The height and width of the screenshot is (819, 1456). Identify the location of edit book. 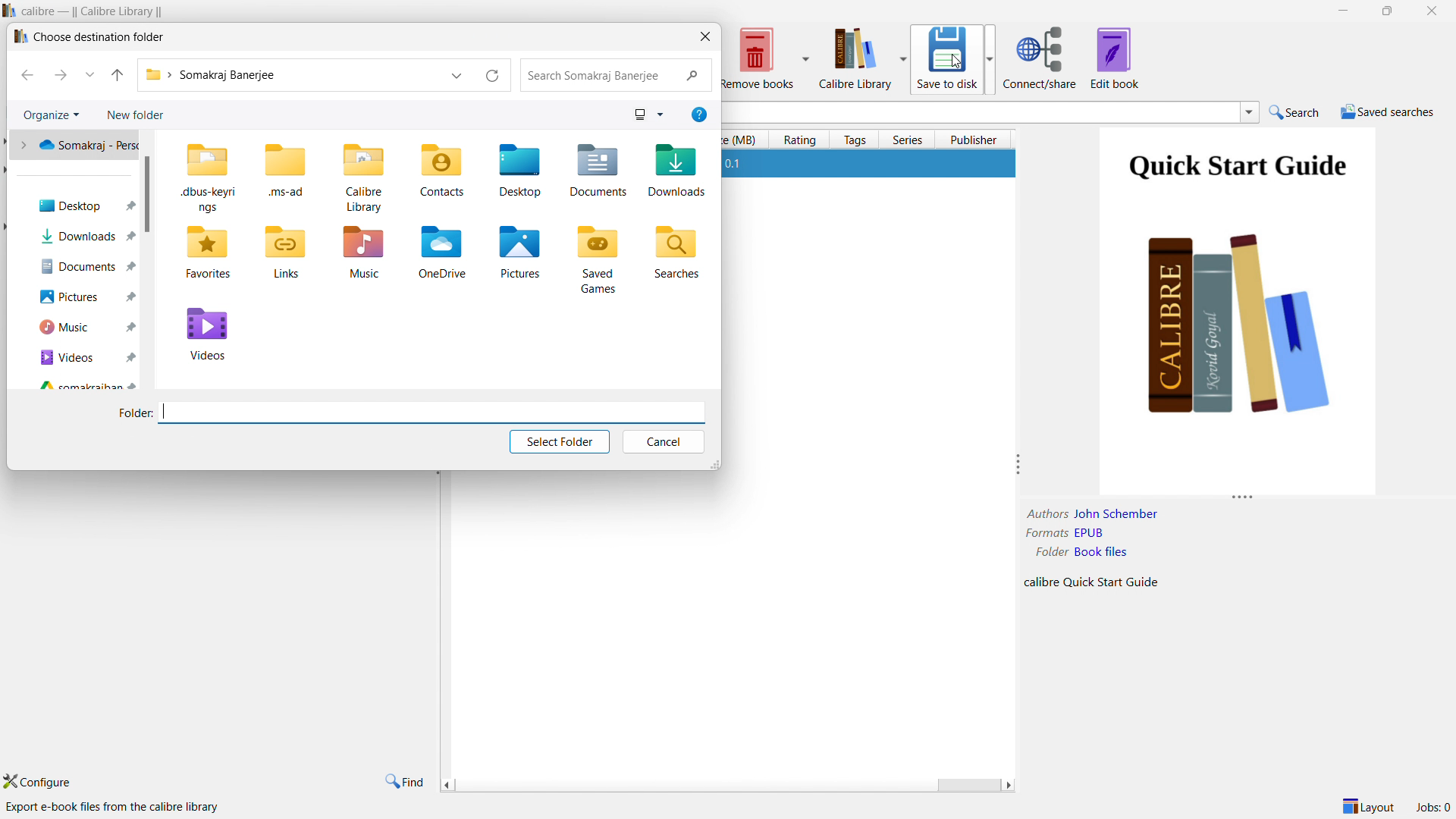
(1114, 58).